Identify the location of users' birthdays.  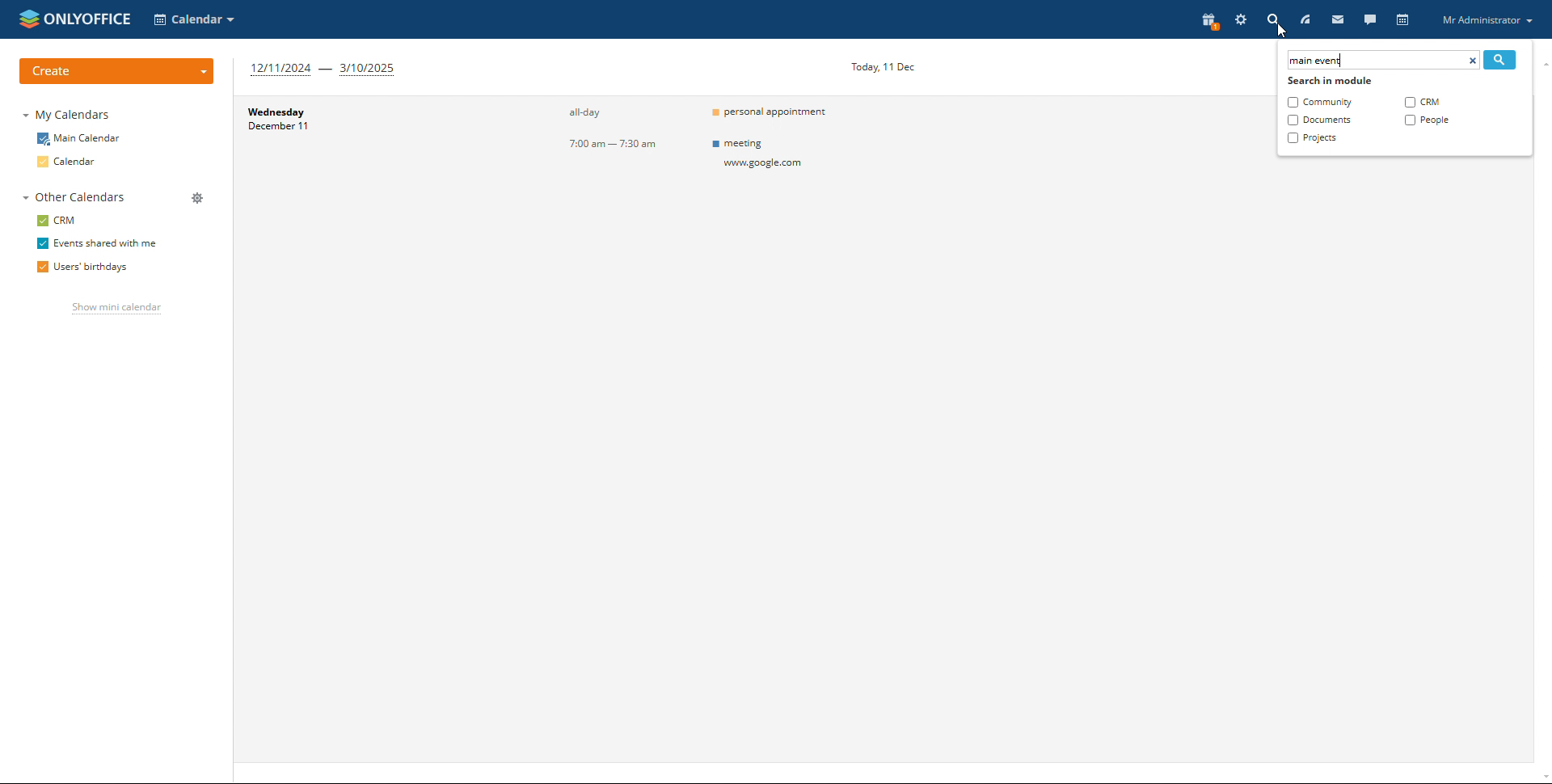
(87, 266).